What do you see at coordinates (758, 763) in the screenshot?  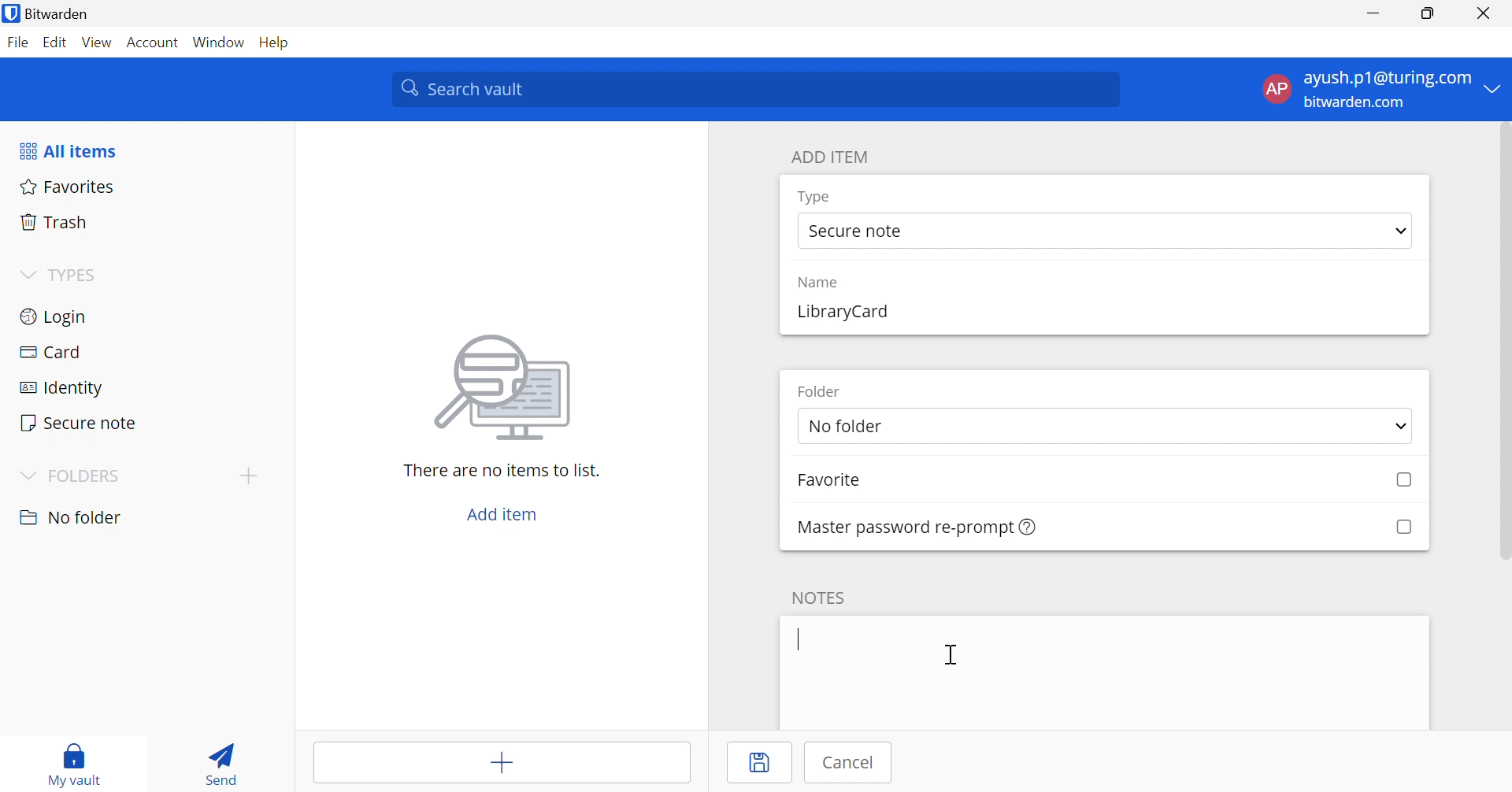 I see `Save` at bounding box center [758, 763].